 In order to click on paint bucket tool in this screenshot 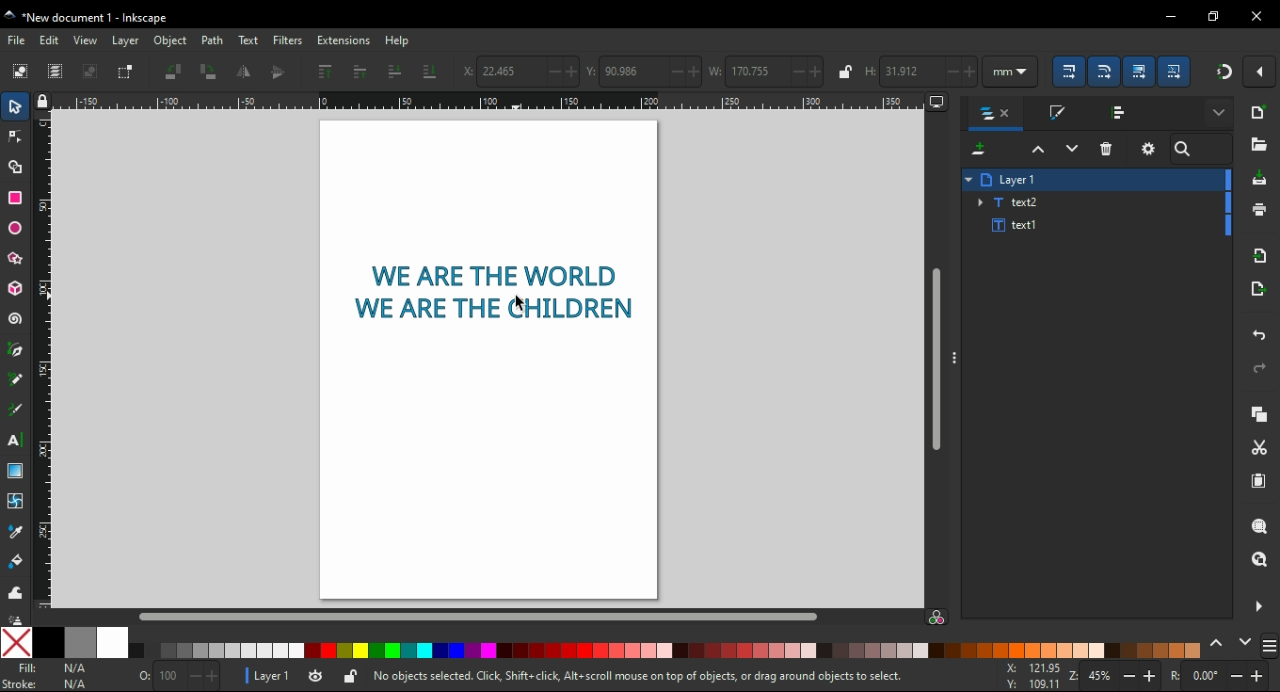, I will do `click(17, 563)`.